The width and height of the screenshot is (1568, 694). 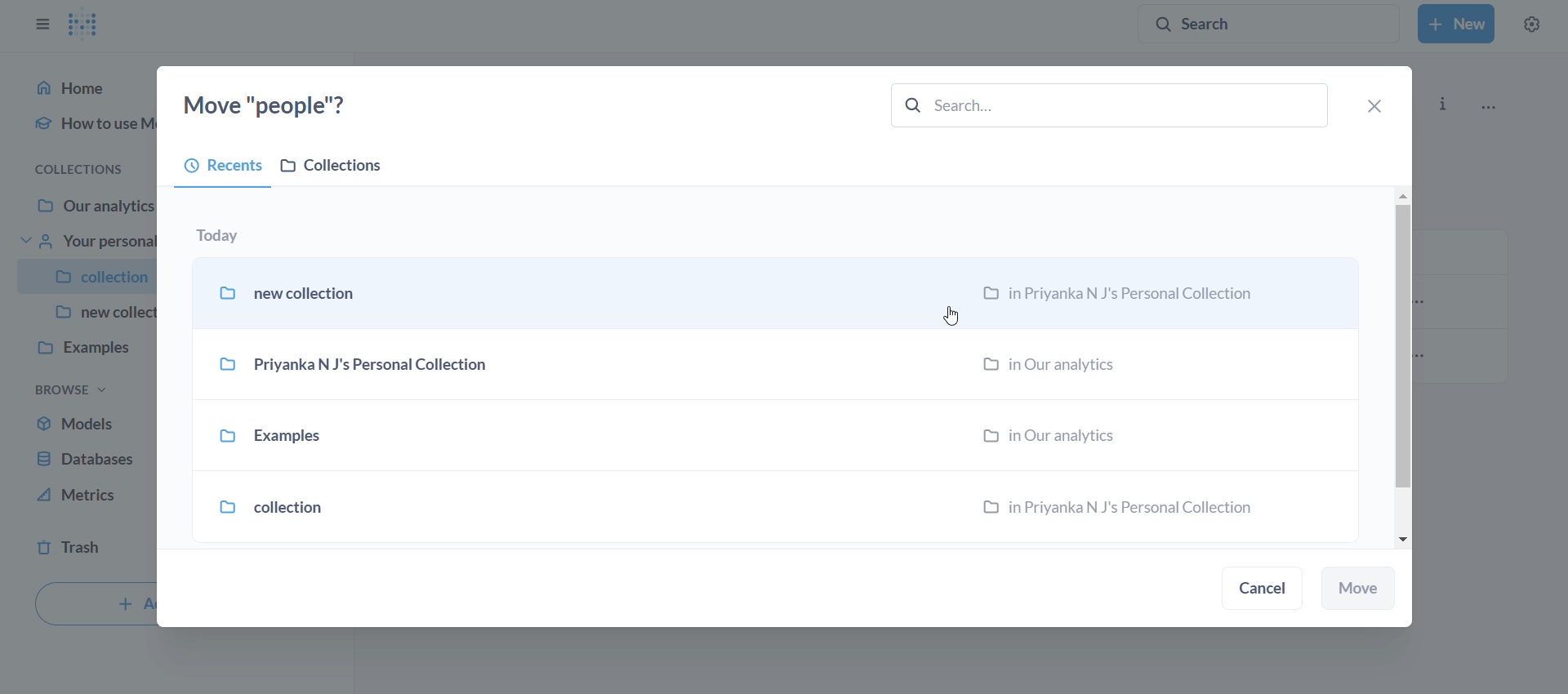 What do you see at coordinates (1379, 105) in the screenshot?
I see `close` at bounding box center [1379, 105].